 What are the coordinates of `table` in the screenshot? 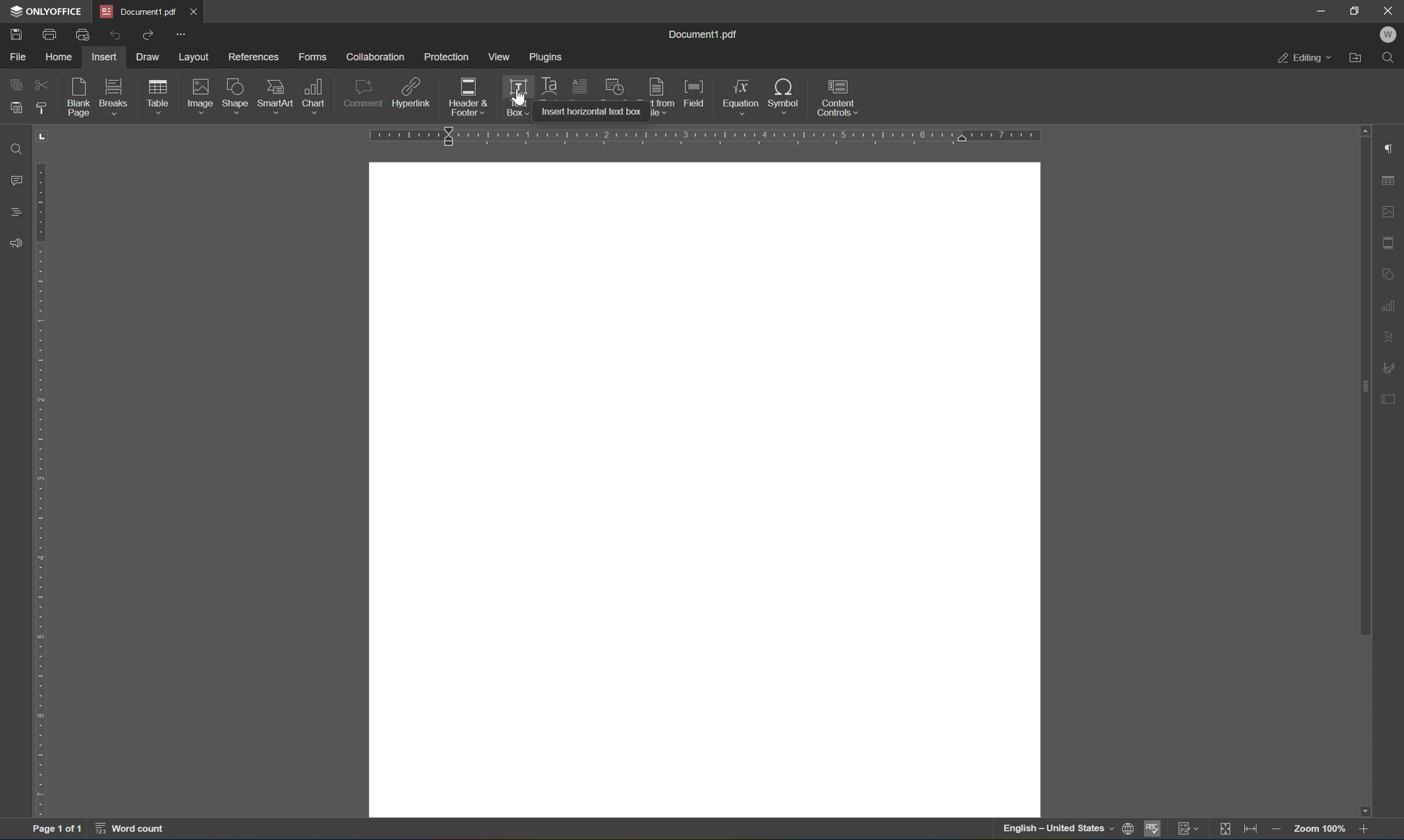 It's located at (159, 98).